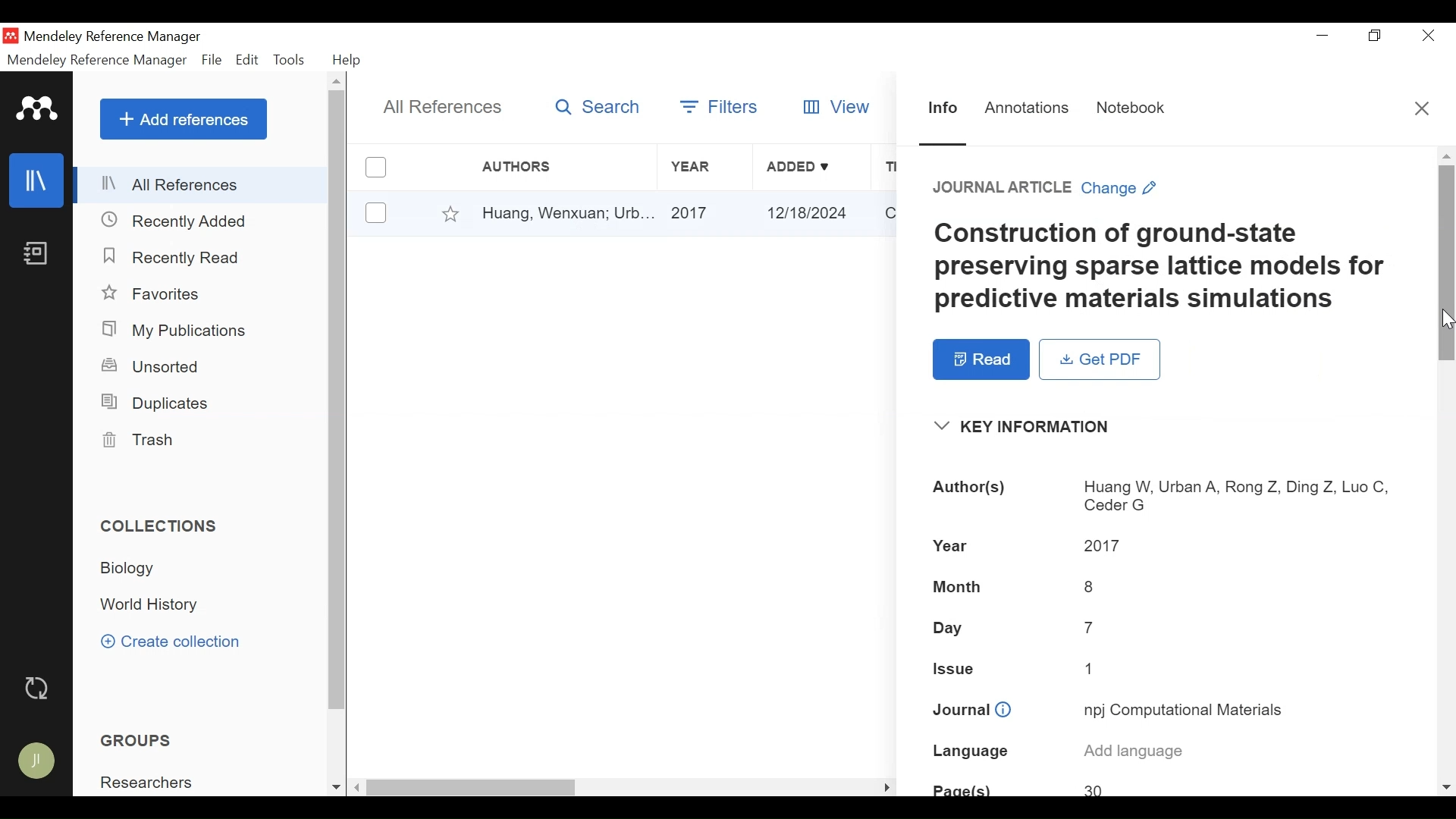 The height and width of the screenshot is (819, 1456). Describe the element at coordinates (959, 710) in the screenshot. I see `Journal` at that location.